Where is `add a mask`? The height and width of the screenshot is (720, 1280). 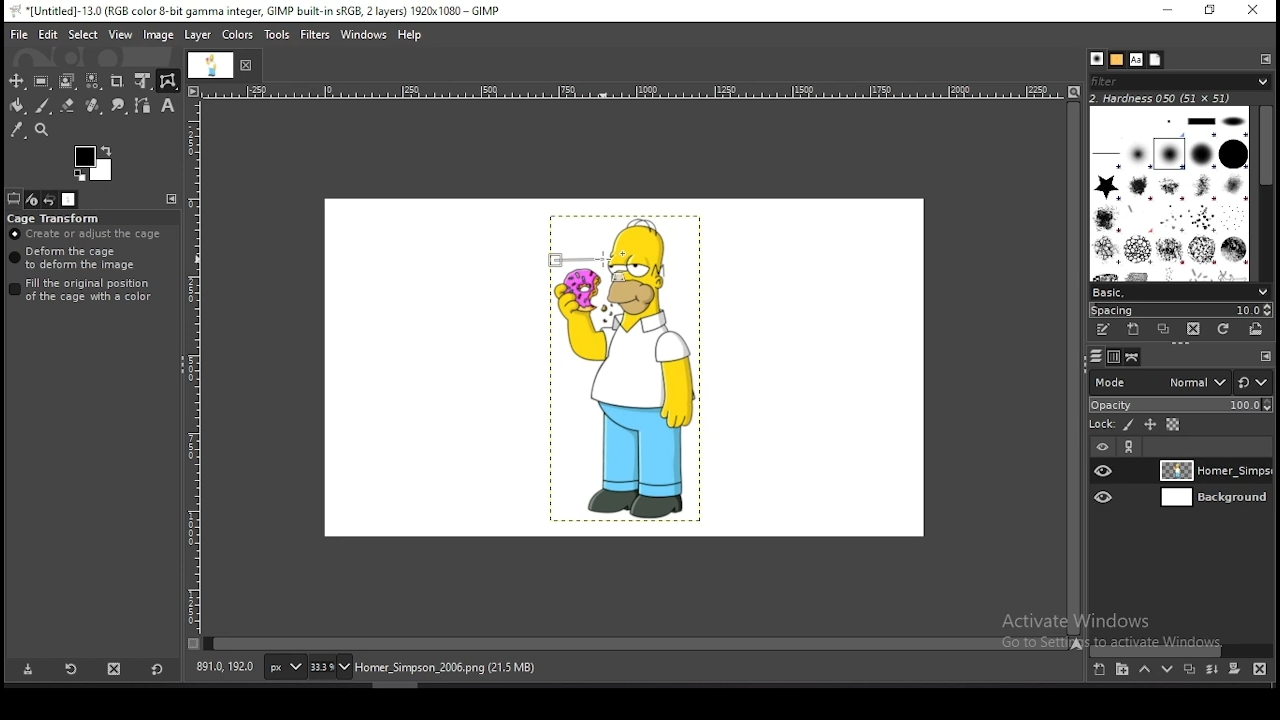 add a mask is located at coordinates (1232, 669).